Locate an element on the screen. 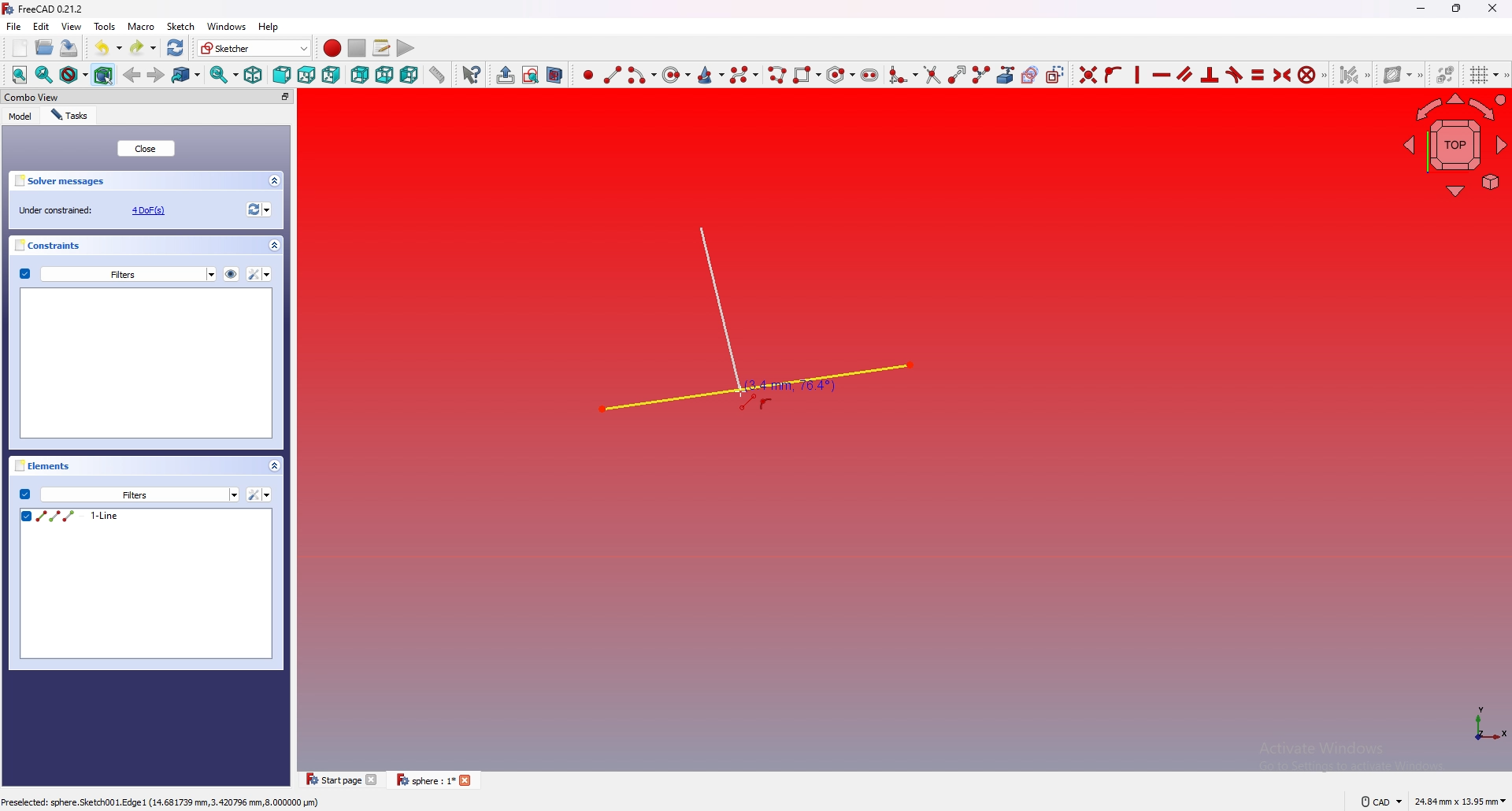 This screenshot has height=811, width=1512. New is located at coordinates (21, 48).